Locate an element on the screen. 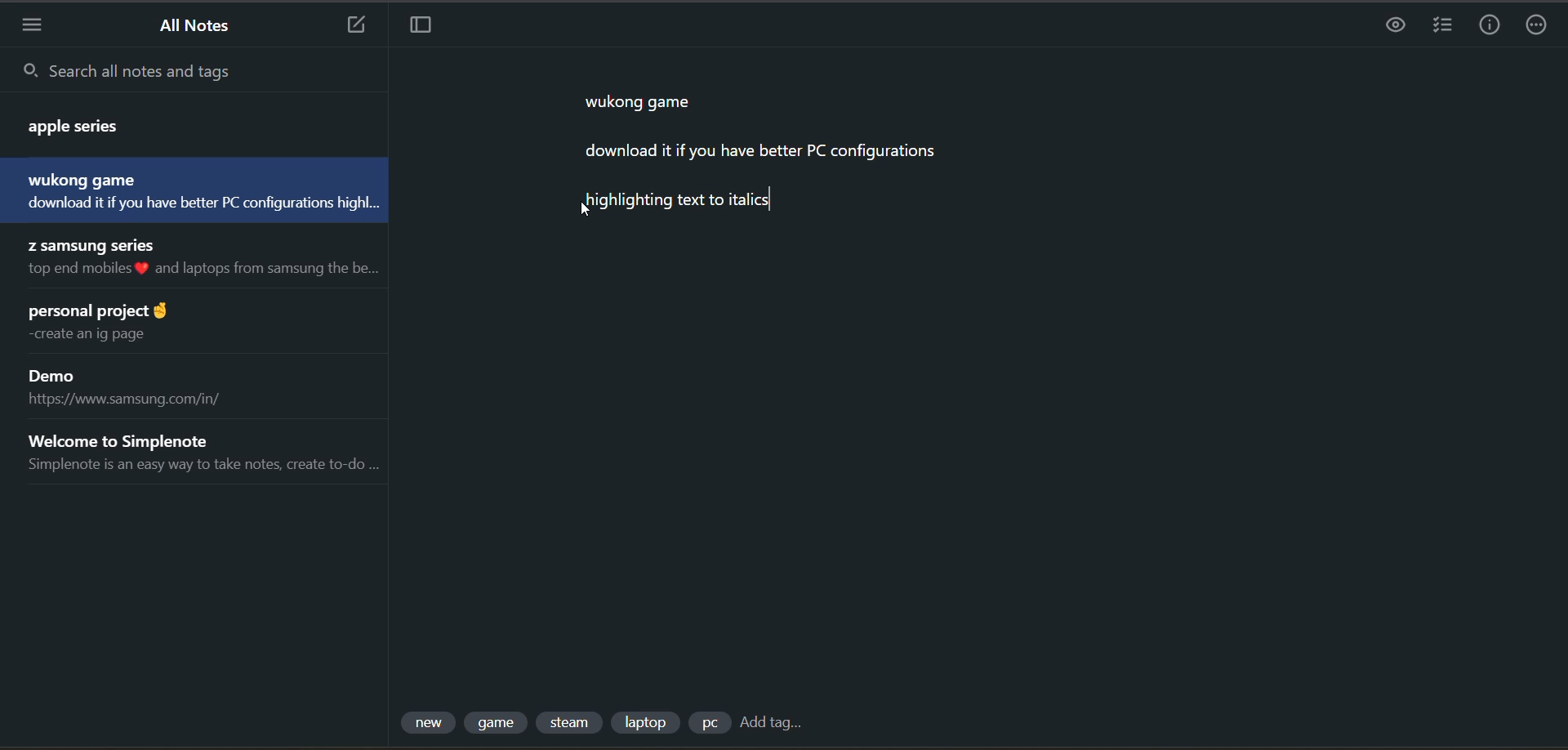 The width and height of the screenshot is (1568, 750). note title and preview is located at coordinates (209, 261).